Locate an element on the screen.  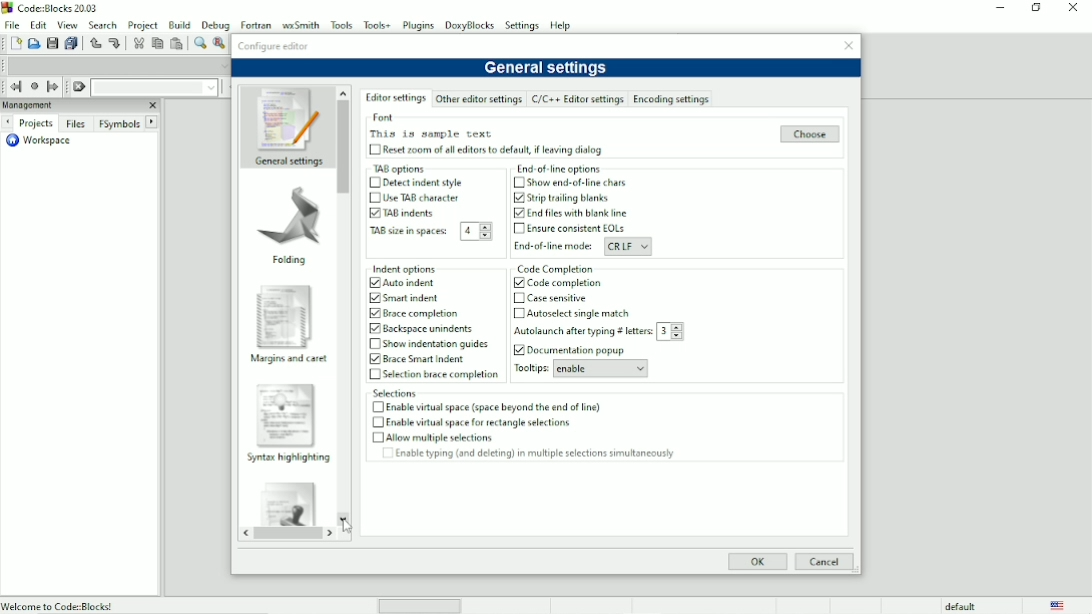
default is located at coordinates (962, 606).